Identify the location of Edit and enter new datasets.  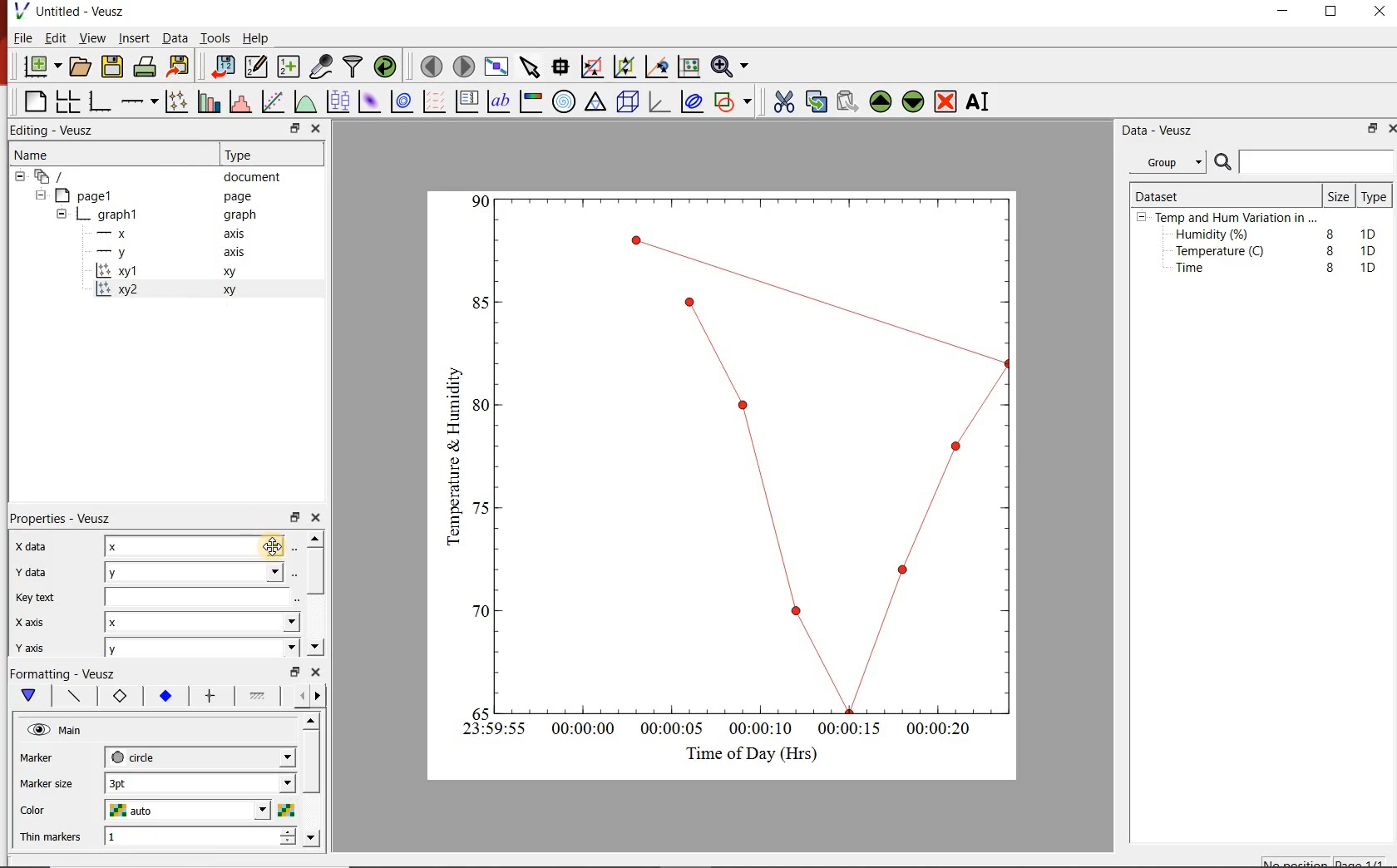
(257, 67).